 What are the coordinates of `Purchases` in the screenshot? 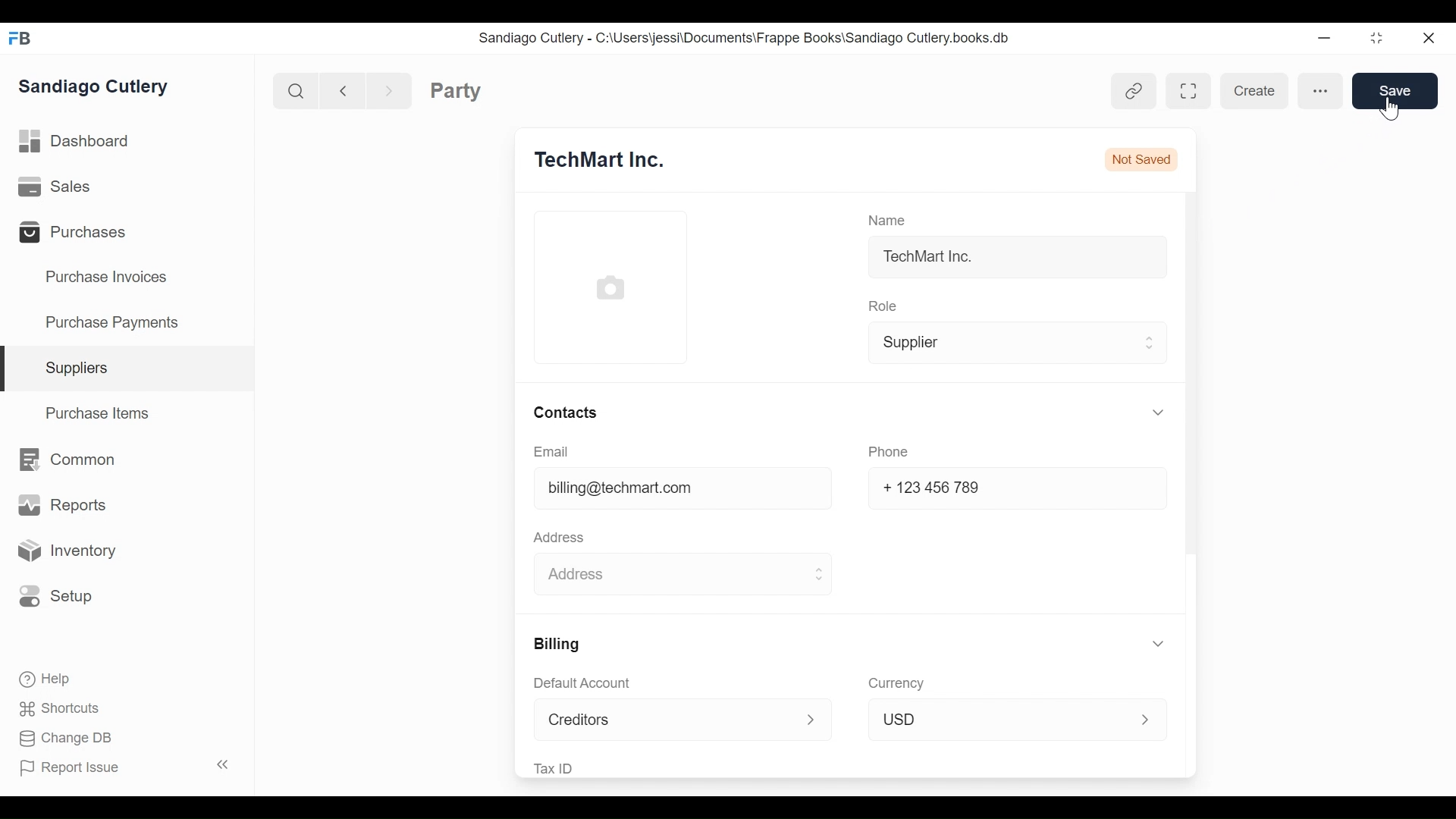 It's located at (82, 234).